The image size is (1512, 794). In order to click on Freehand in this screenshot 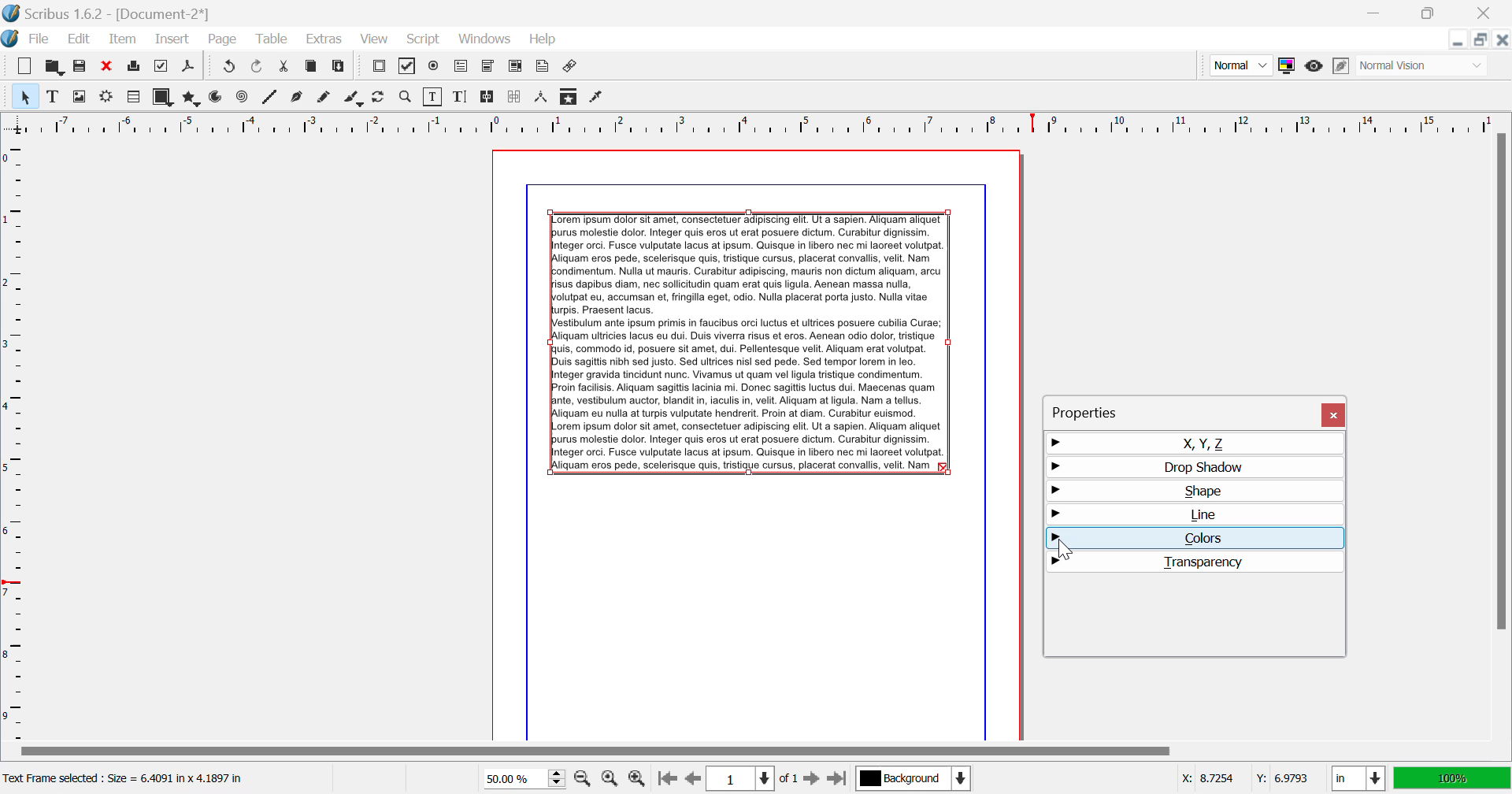, I will do `click(326, 98)`.